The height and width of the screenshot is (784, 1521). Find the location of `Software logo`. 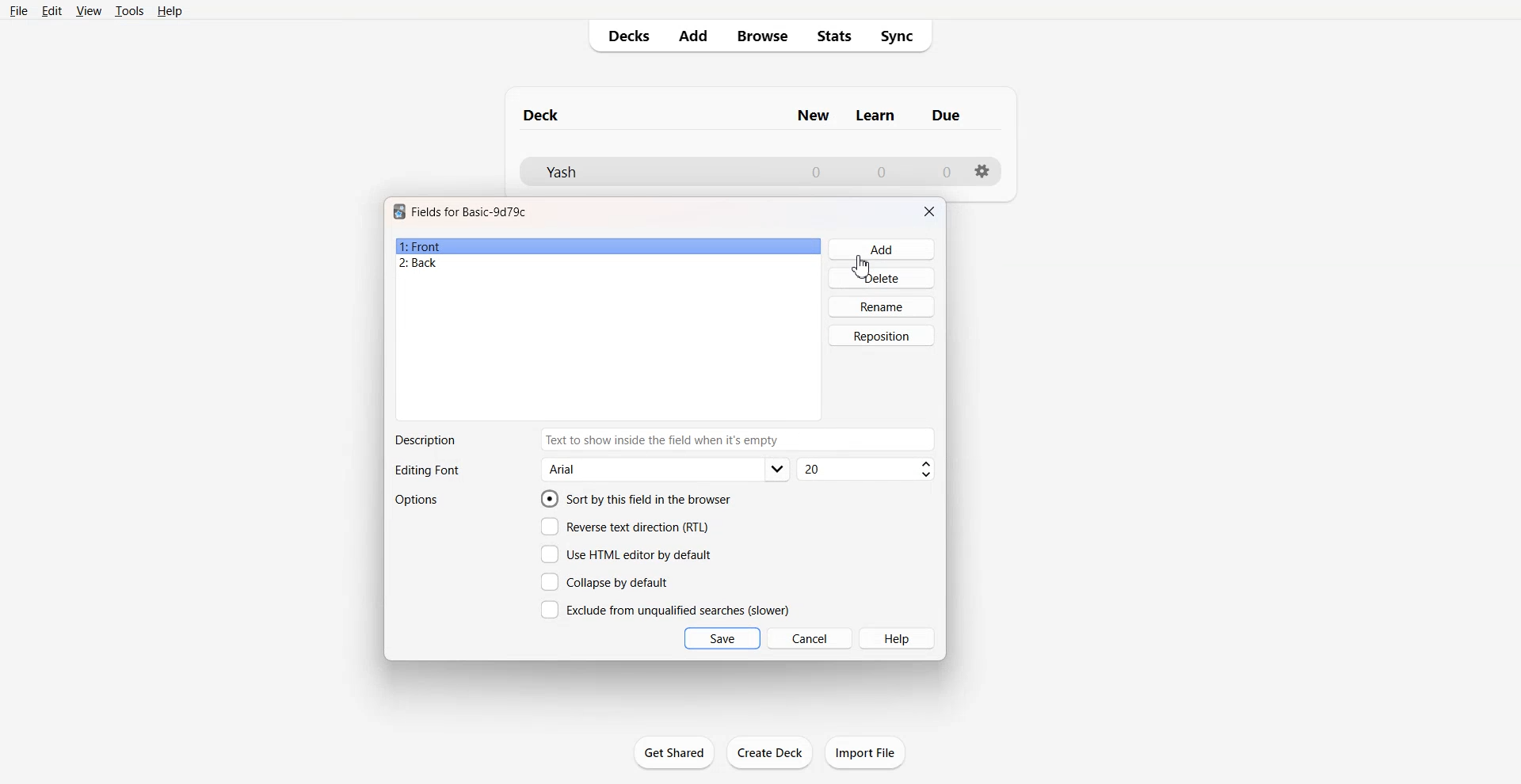

Software logo is located at coordinates (399, 211).